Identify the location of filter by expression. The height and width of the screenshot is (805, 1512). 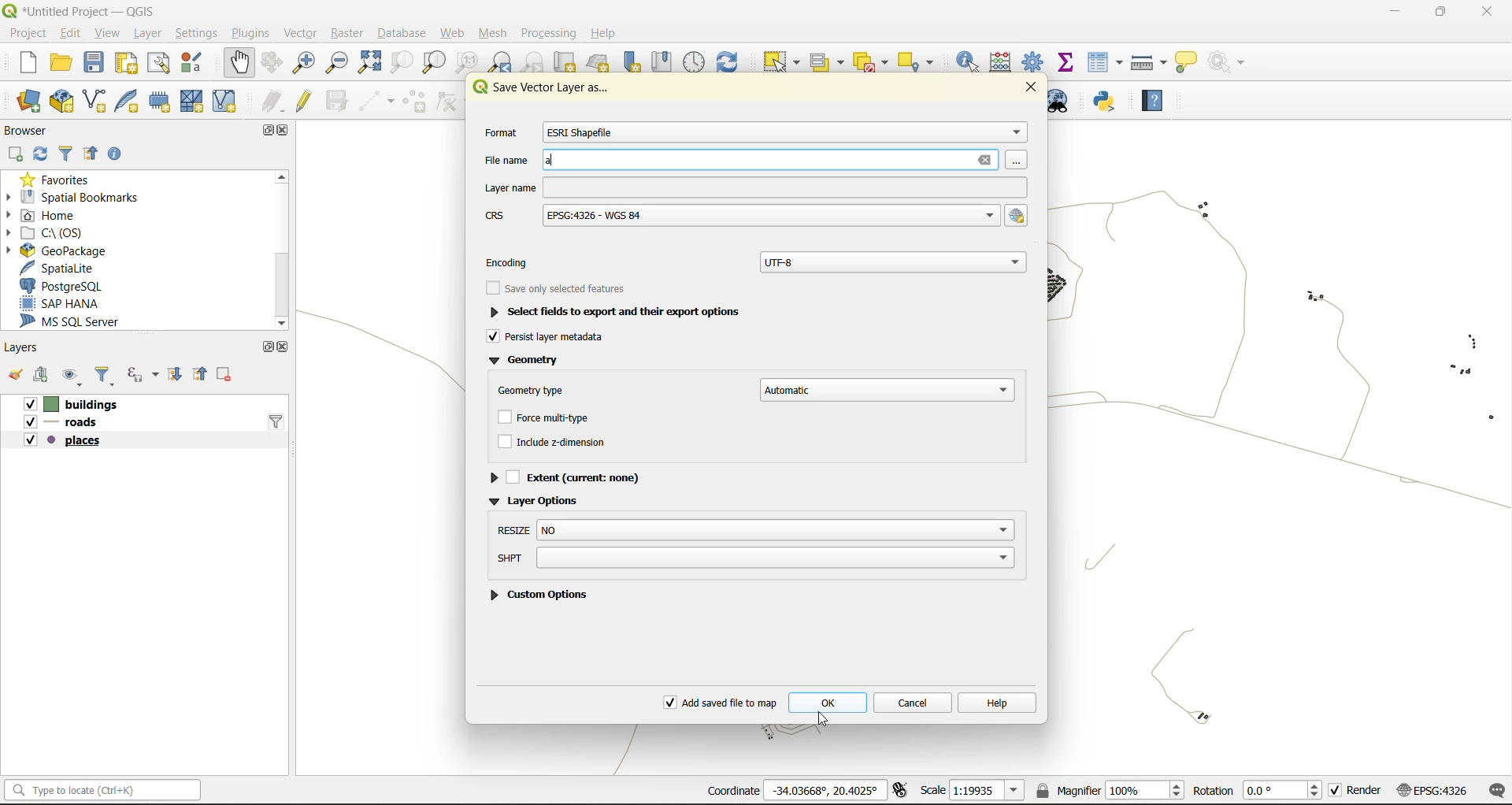
(141, 376).